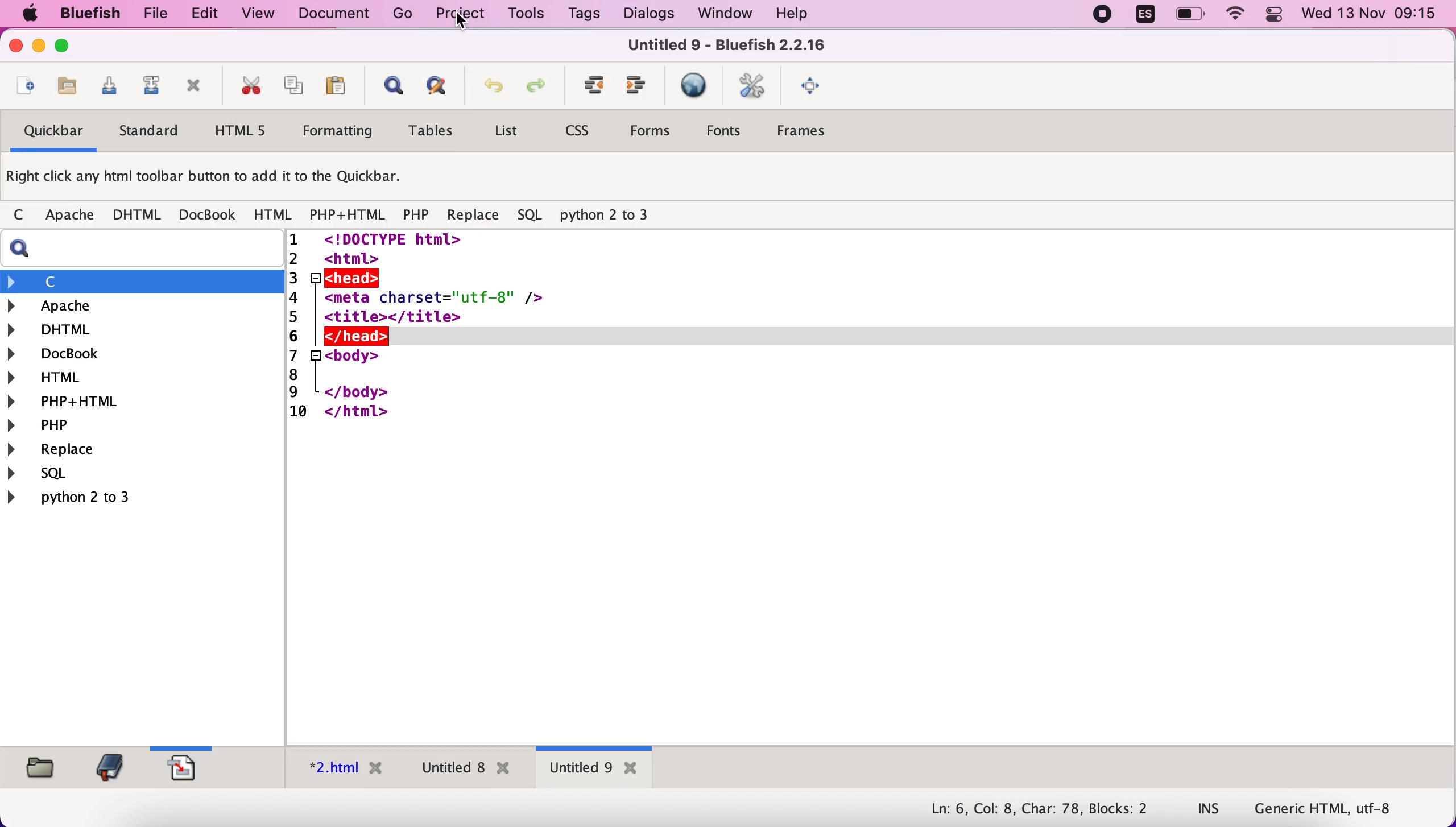 This screenshot has width=1456, height=827. I want to click on battery, so click(1192, 15).